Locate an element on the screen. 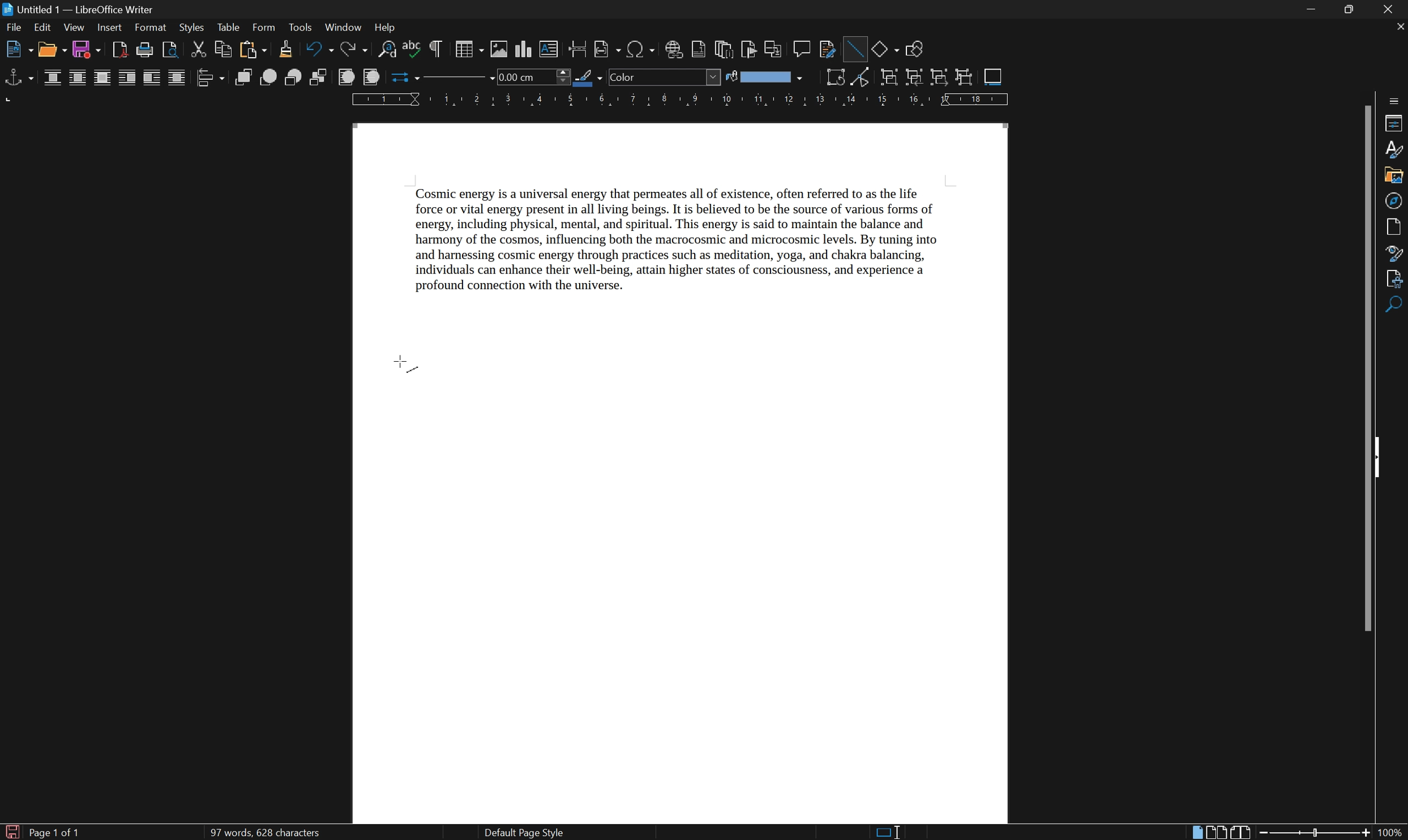  align objects is located at coordinates (209, 78).